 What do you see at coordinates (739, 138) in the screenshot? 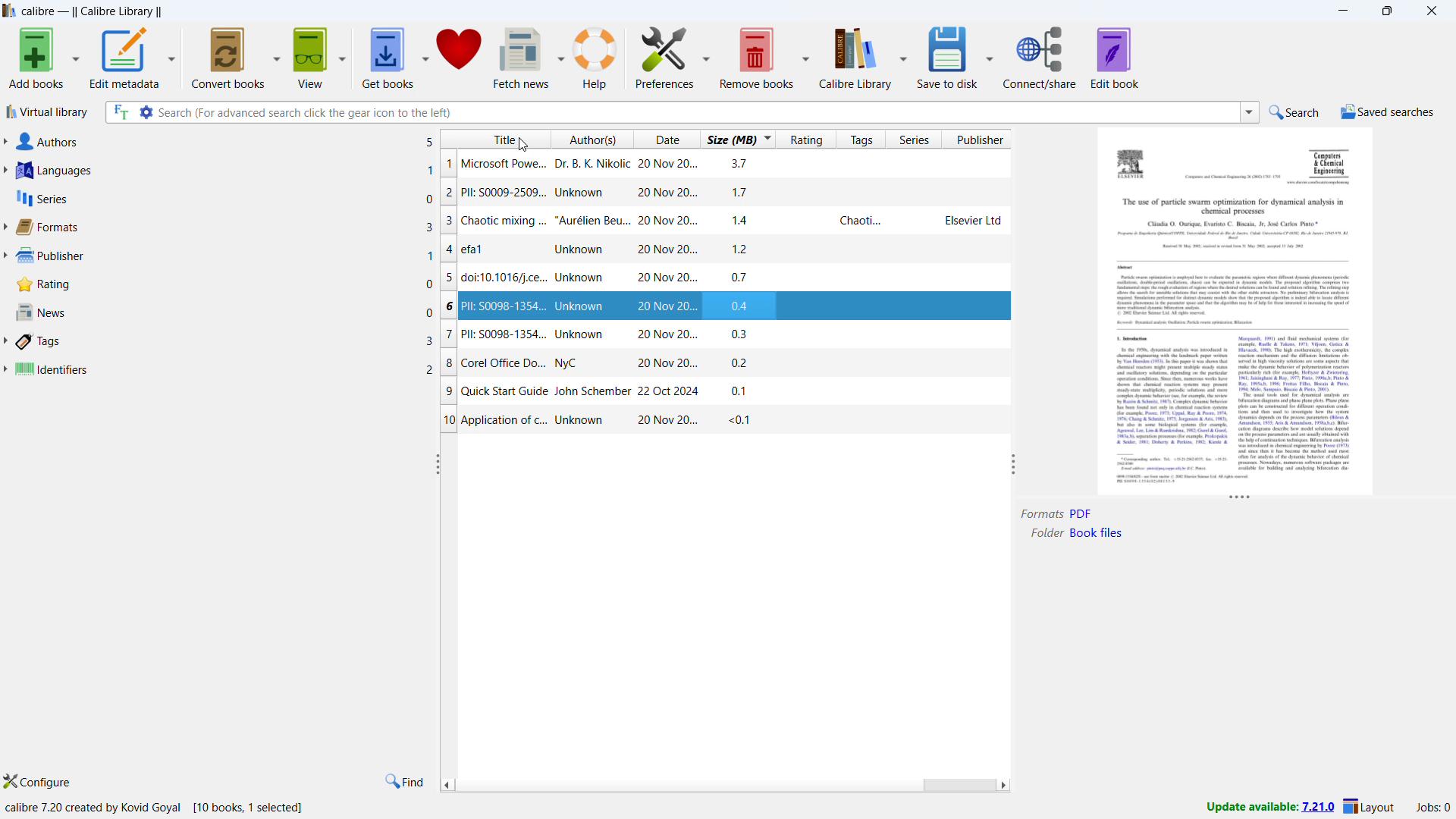
I see `sort by size` at bounding box center [739, 138].